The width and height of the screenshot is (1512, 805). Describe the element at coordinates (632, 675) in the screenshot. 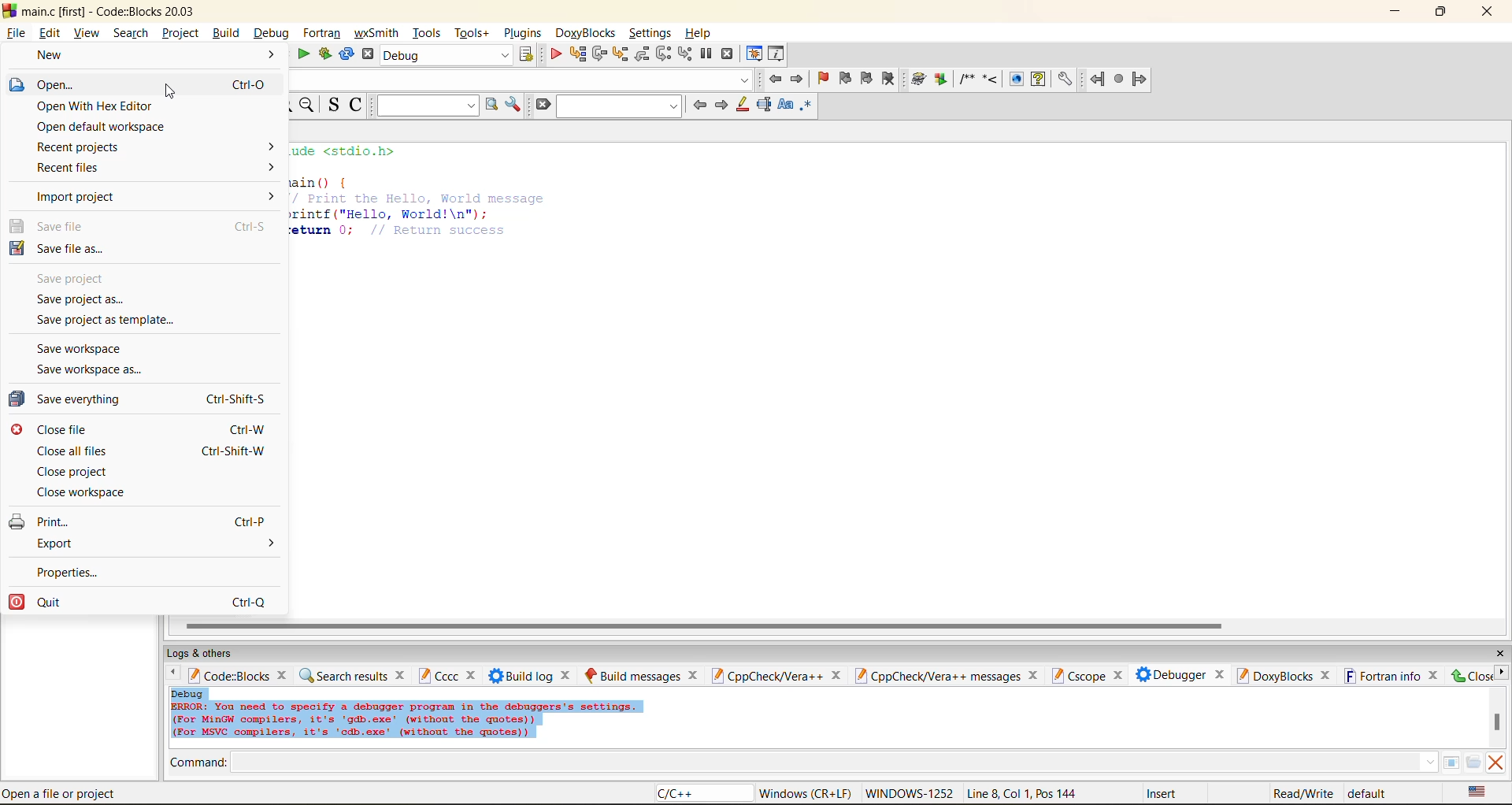

I see `build messages` at that location.